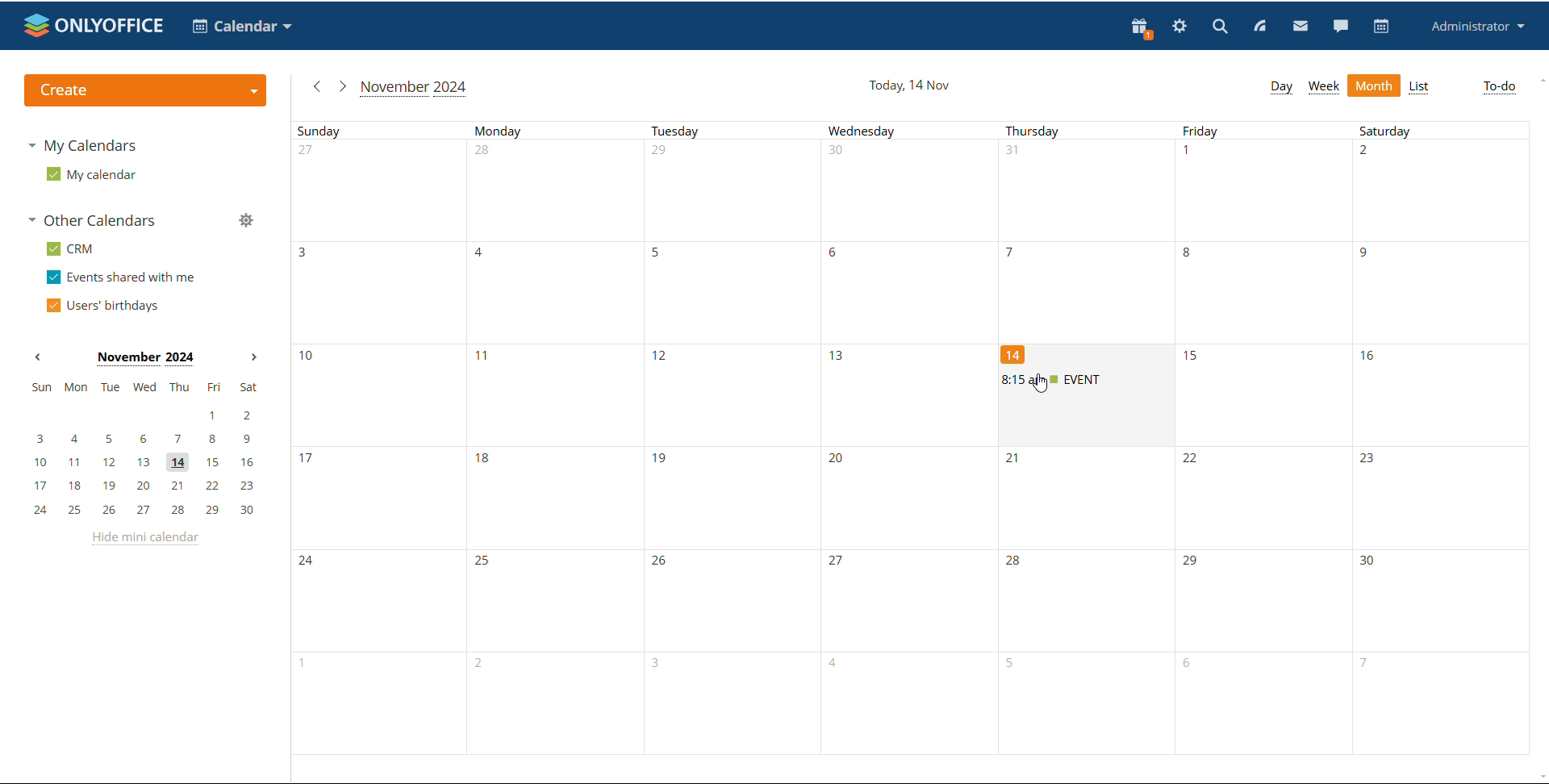 Image resolution: width=1549 pixels, height=784 pixels. Describe the element at coordinates (148, 541) in the screenshot. I see `hide mini calendar` at that location.